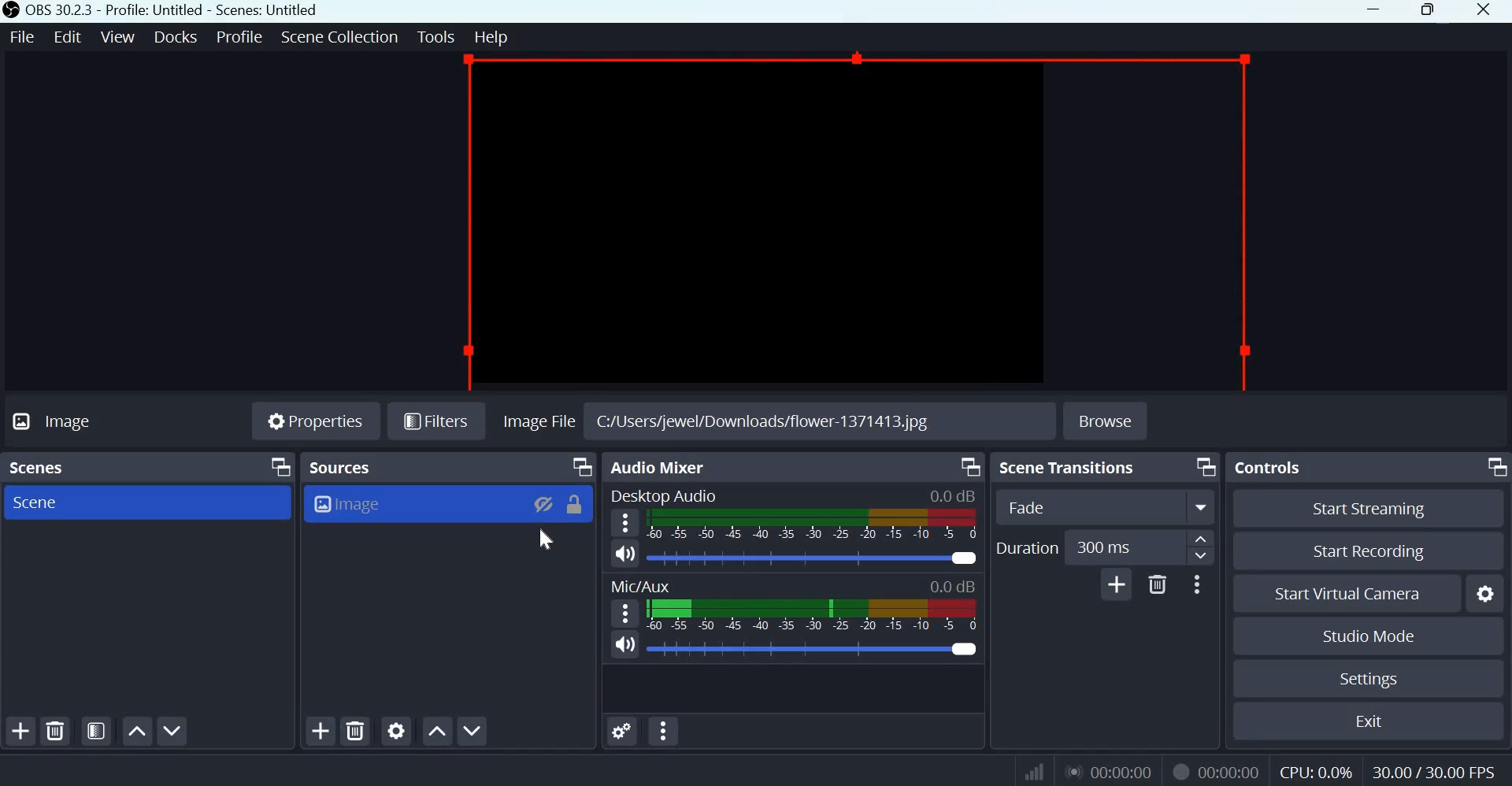 Image resolution: width=1512 pixels, height=786 pixels. What do you see at coordinates (1230, 773) in the screenshot?
I see `Recording Timer` at bounding box center [1230, 773].